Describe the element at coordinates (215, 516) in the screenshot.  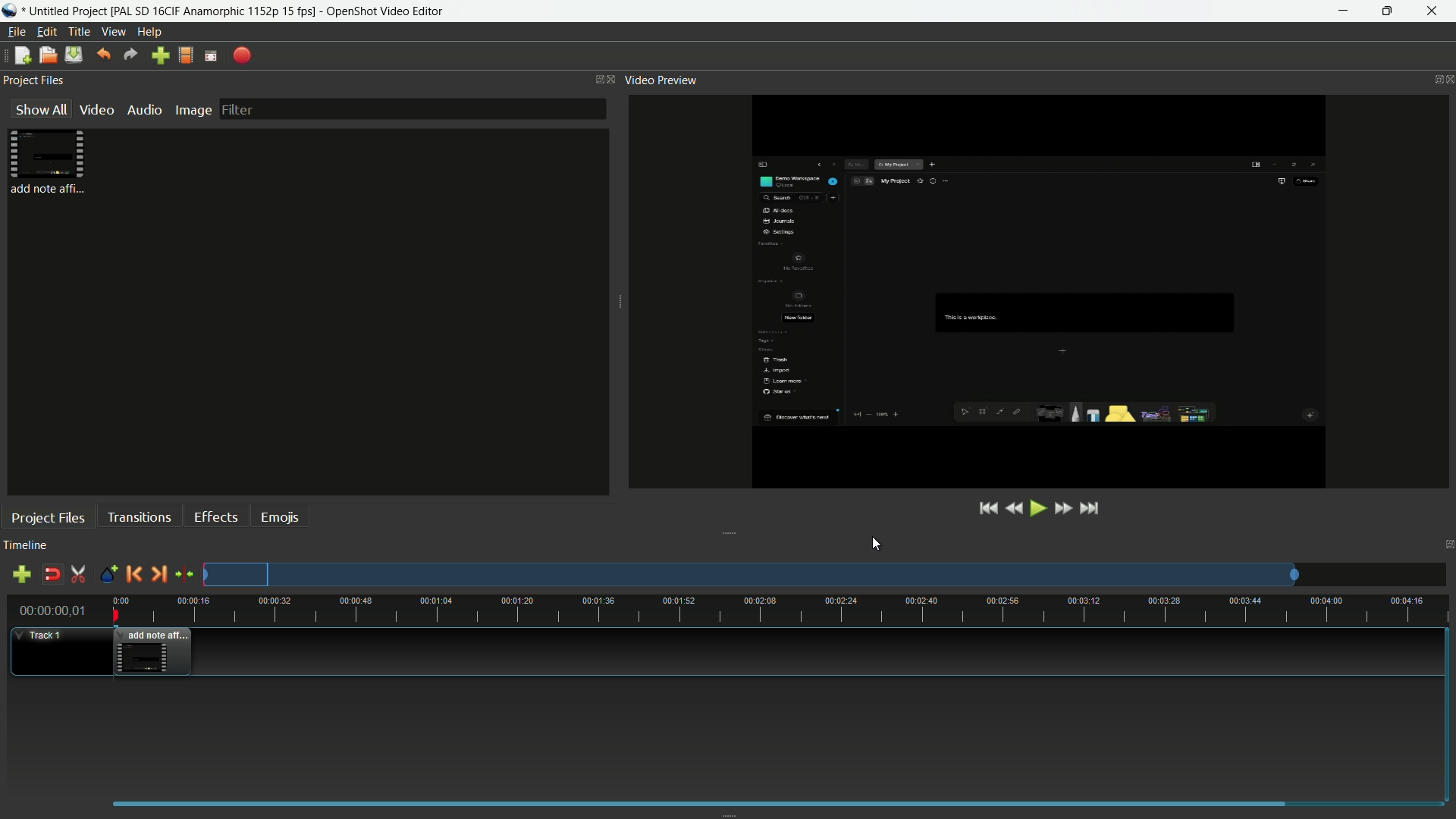
I see `effects` at that location.